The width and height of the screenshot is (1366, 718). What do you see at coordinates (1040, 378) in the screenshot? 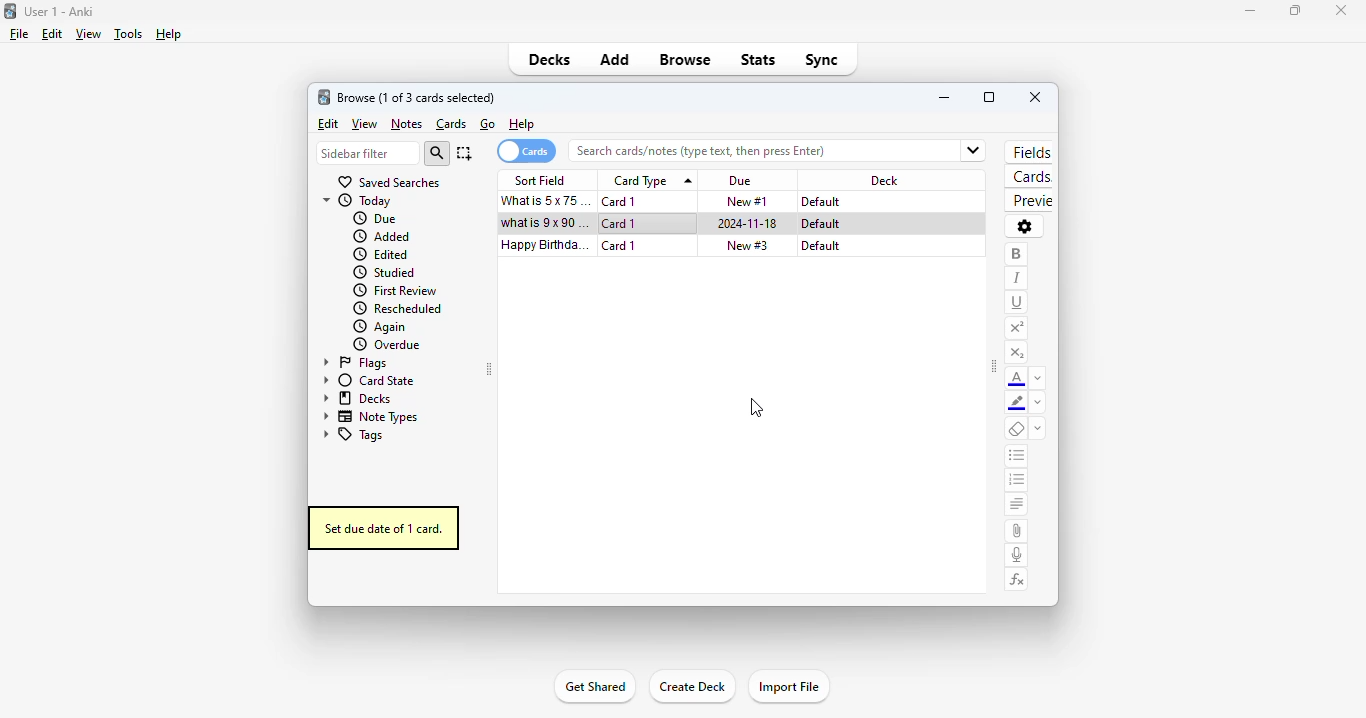
I see `change color` at bounding box center [1040, 378].